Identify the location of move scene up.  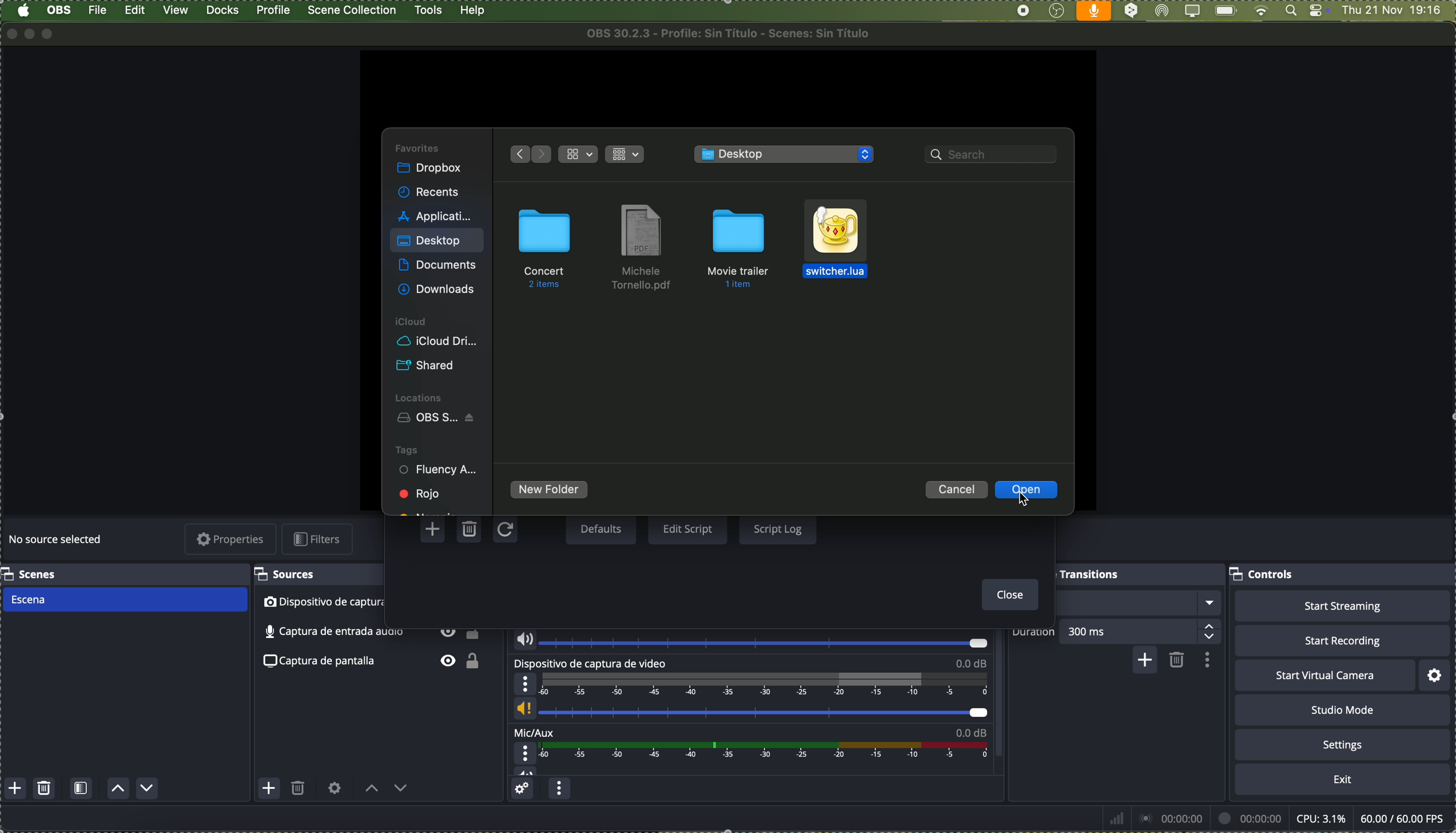
(119, 790).